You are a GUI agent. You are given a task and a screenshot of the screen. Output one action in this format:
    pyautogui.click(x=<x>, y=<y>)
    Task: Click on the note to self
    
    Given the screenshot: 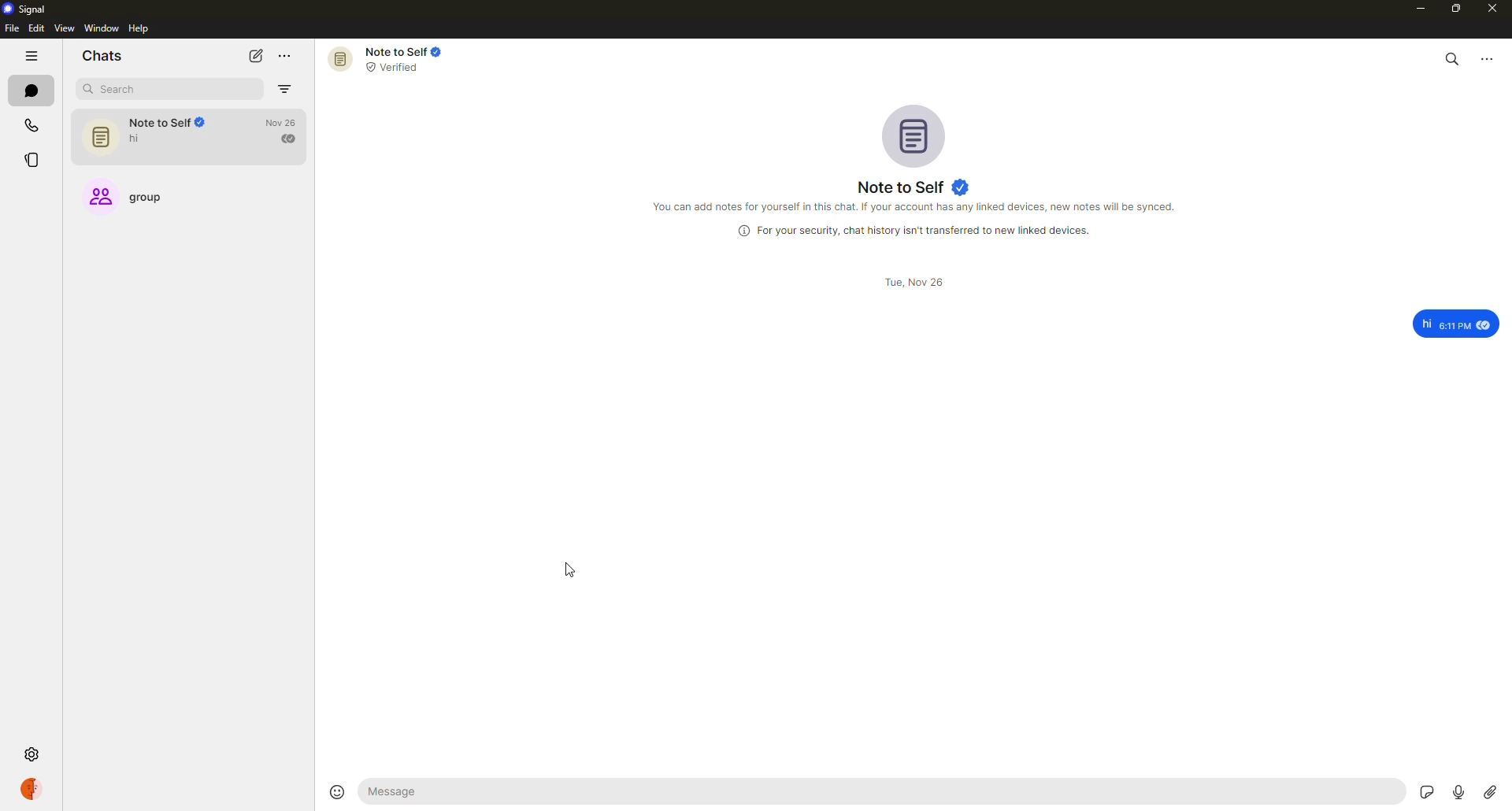 What is the action you would take?
    pyautogui.click(x=914, y=186)
    